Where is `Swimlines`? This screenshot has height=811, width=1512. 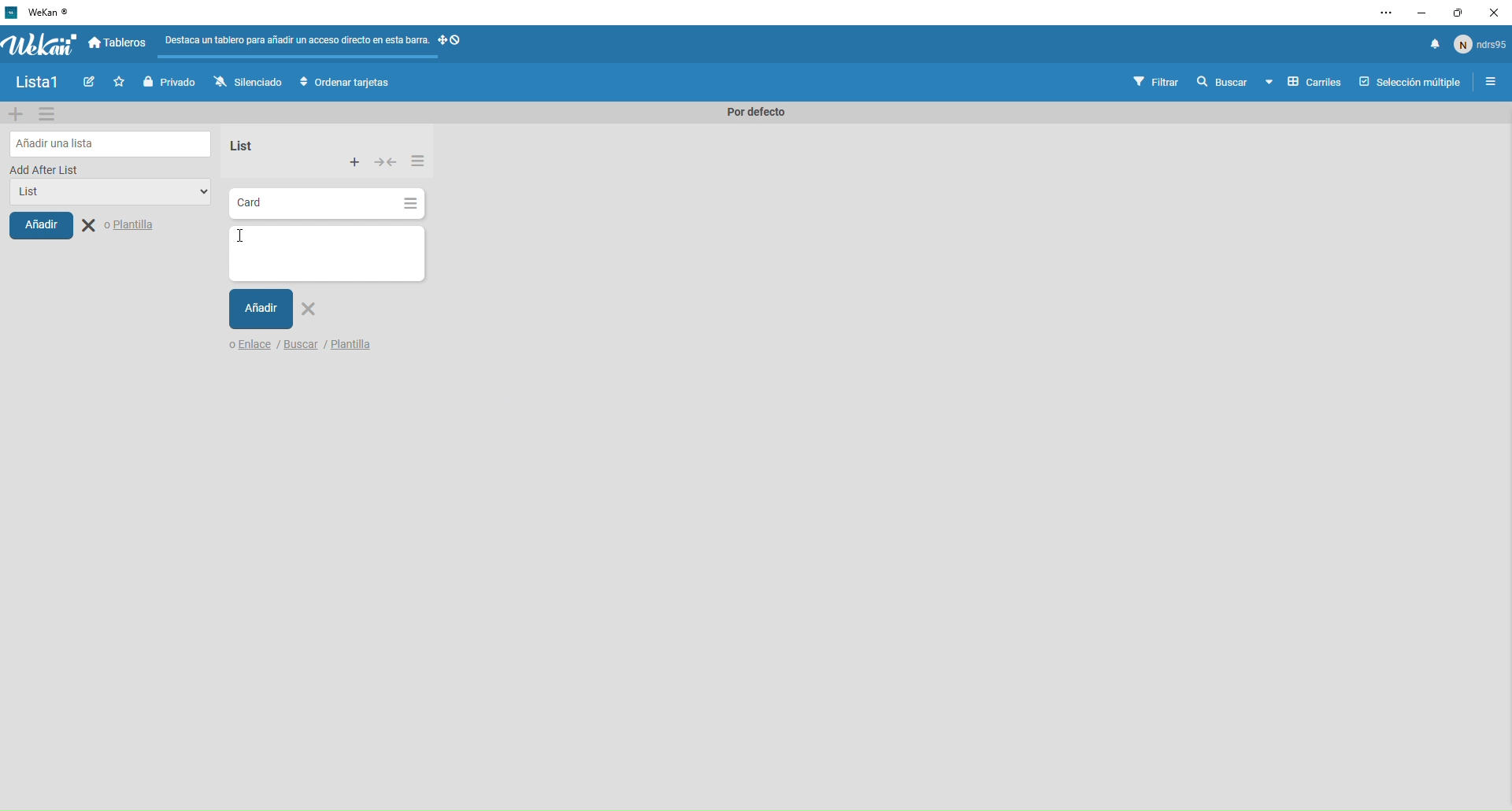 Swimlines is located at coordinates (1303, 83).